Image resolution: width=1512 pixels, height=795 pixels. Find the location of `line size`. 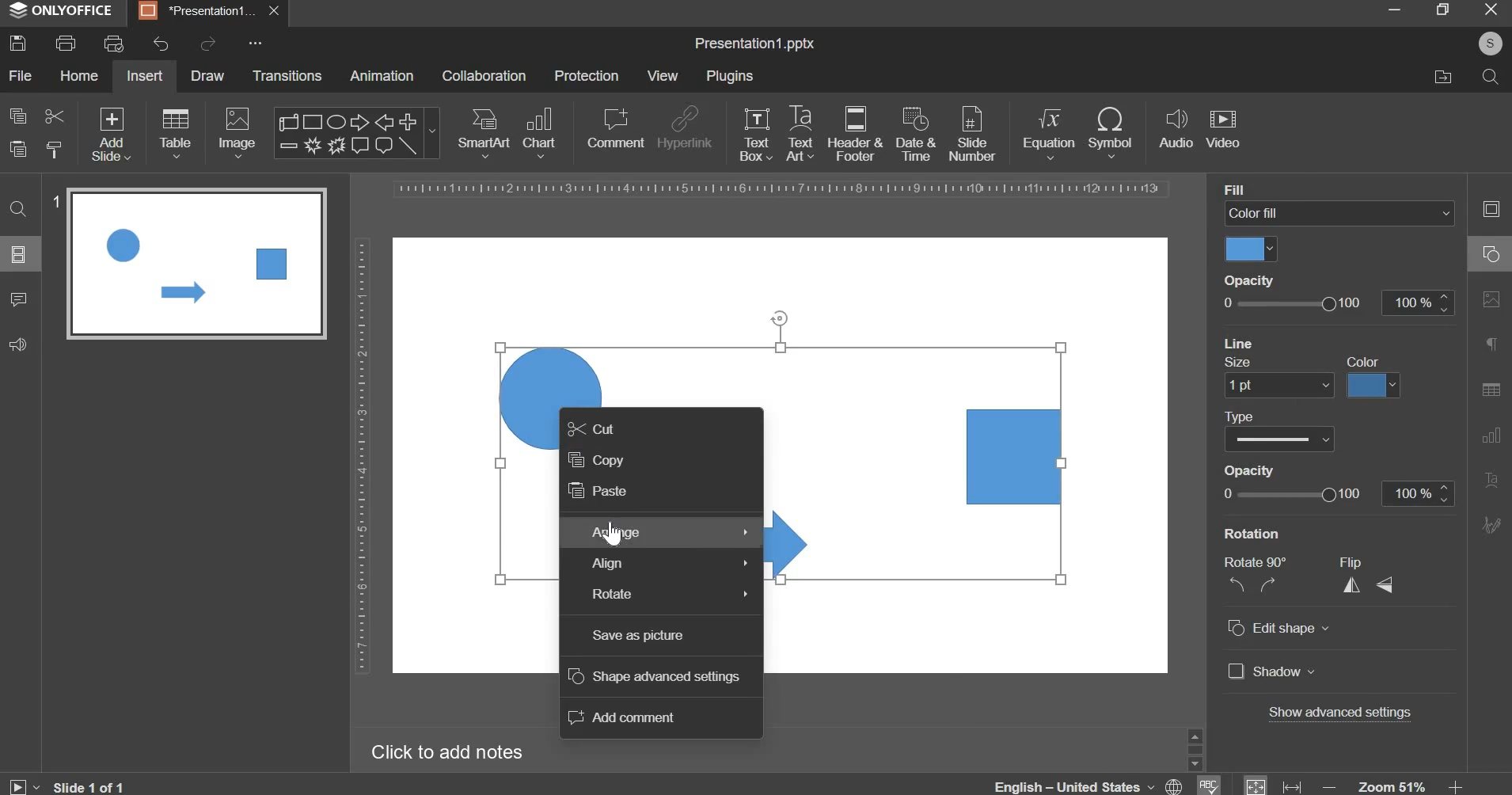

line size is located at coordinates (1278, 386).